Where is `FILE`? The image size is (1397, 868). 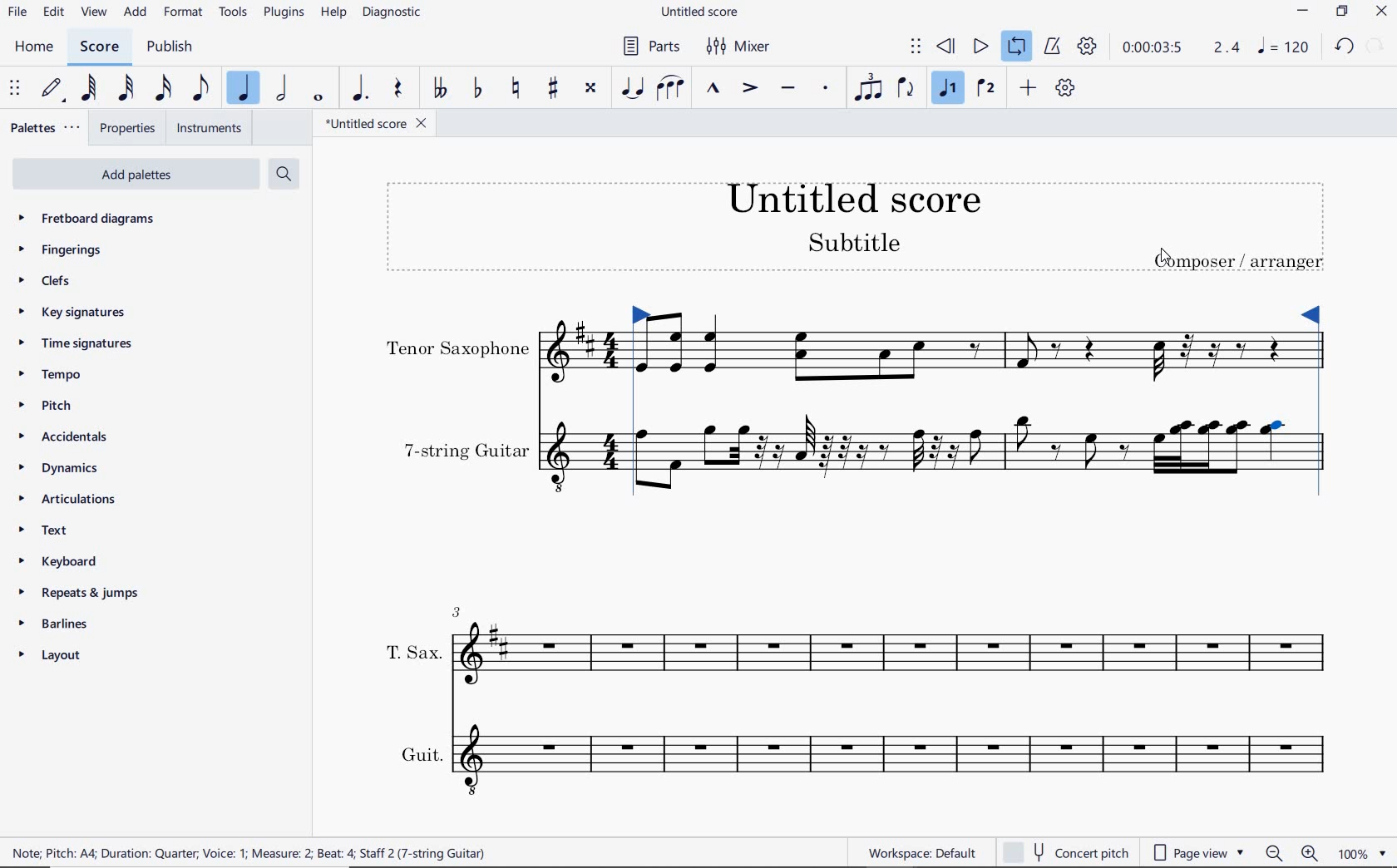
FILE is located at coordinates (18, 14).